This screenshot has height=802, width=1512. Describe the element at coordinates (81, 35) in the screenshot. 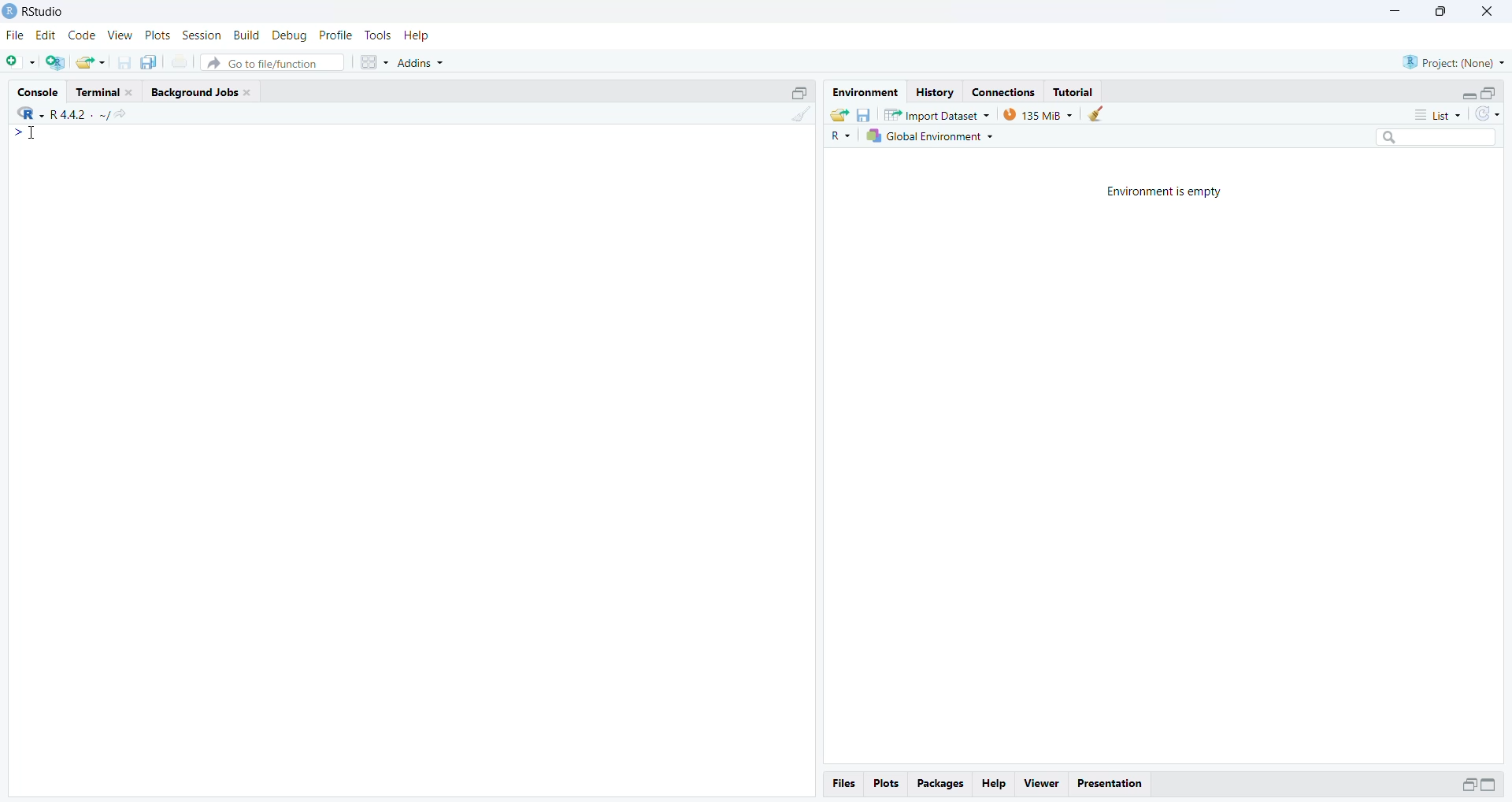

I see `Code` at that location.